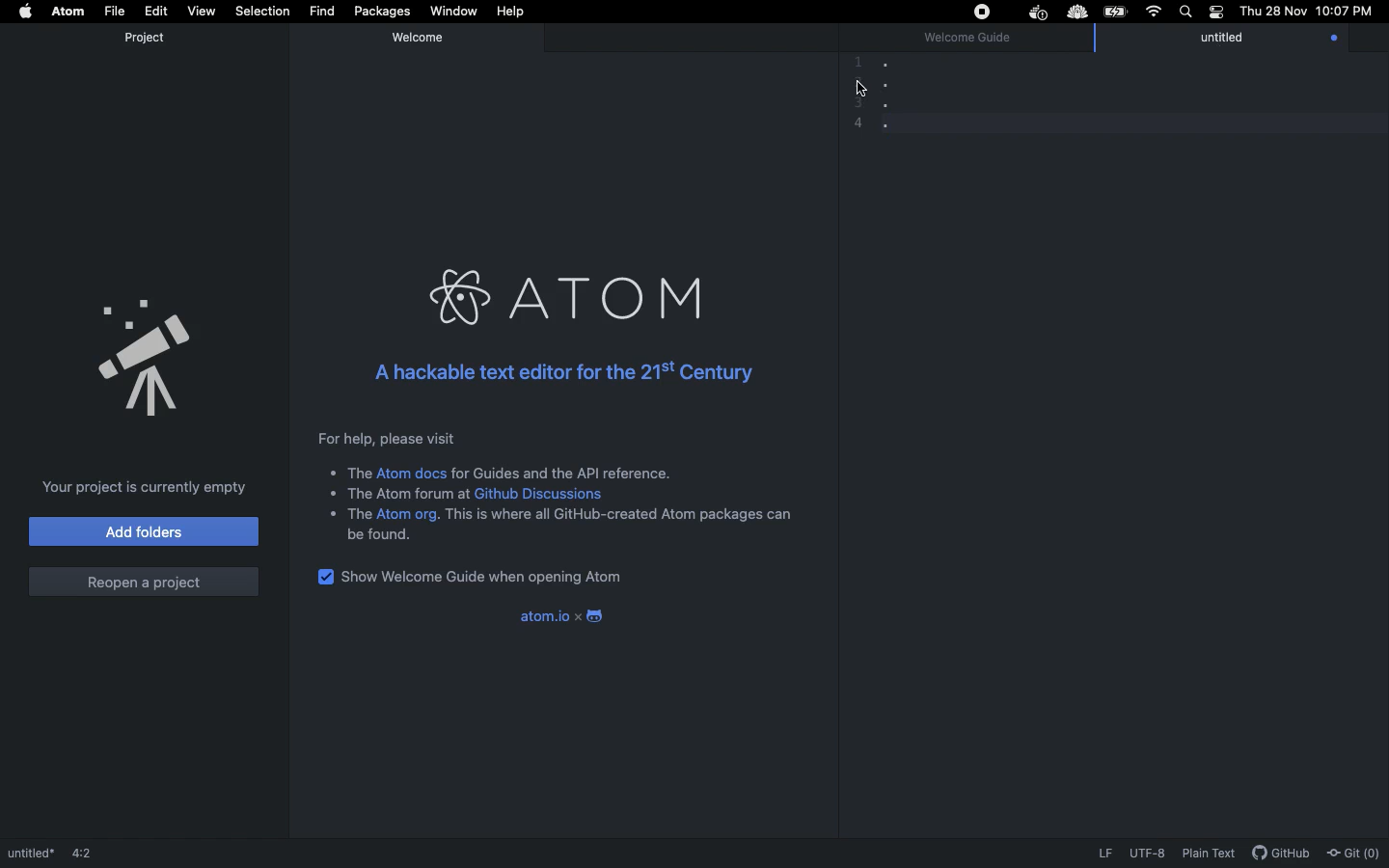  Describe the element at coordinates (113, 11) in the screenshot. I see `File` at that location.